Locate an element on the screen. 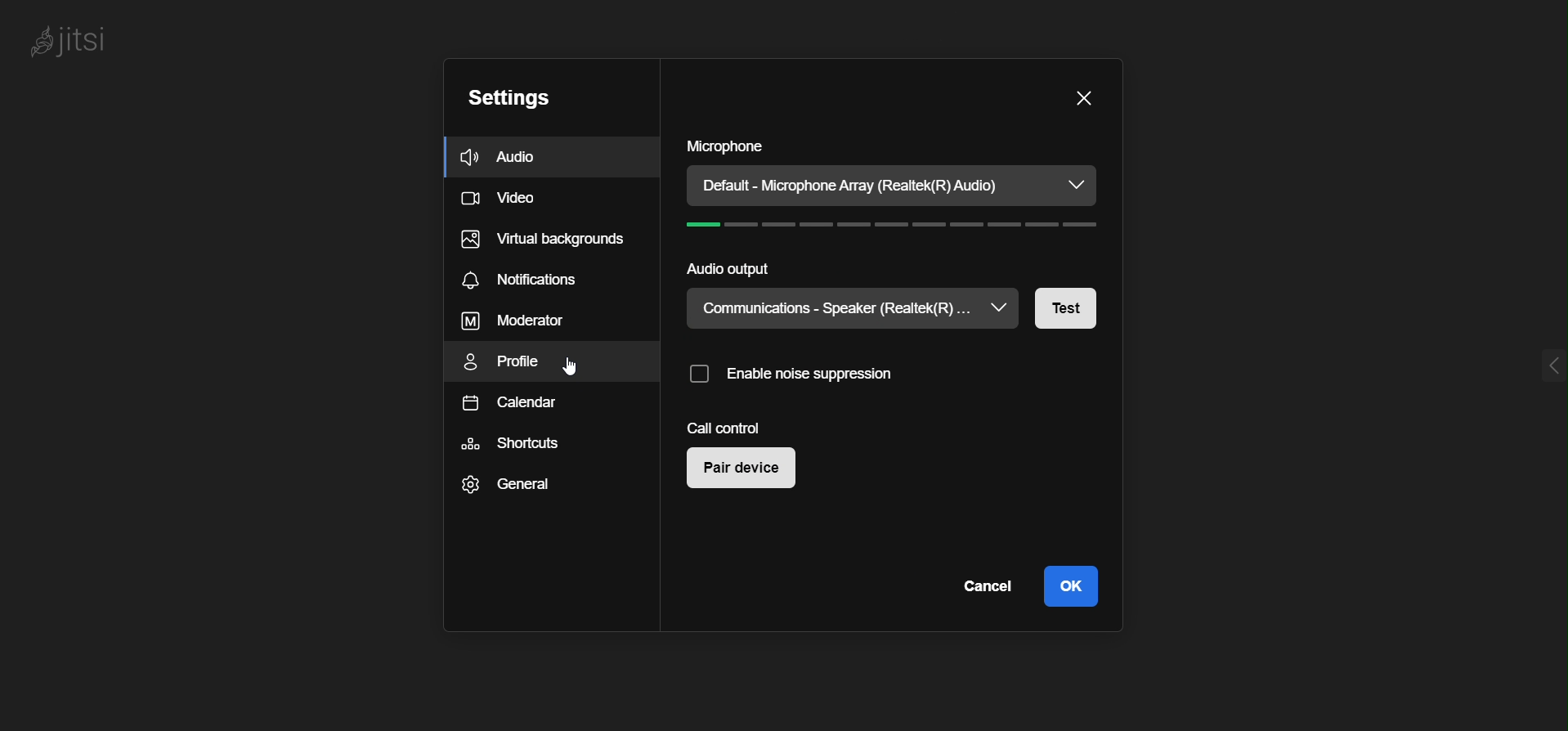 This screenshot has width=1568, height=731. notifications is located at coordinates (524, 281).